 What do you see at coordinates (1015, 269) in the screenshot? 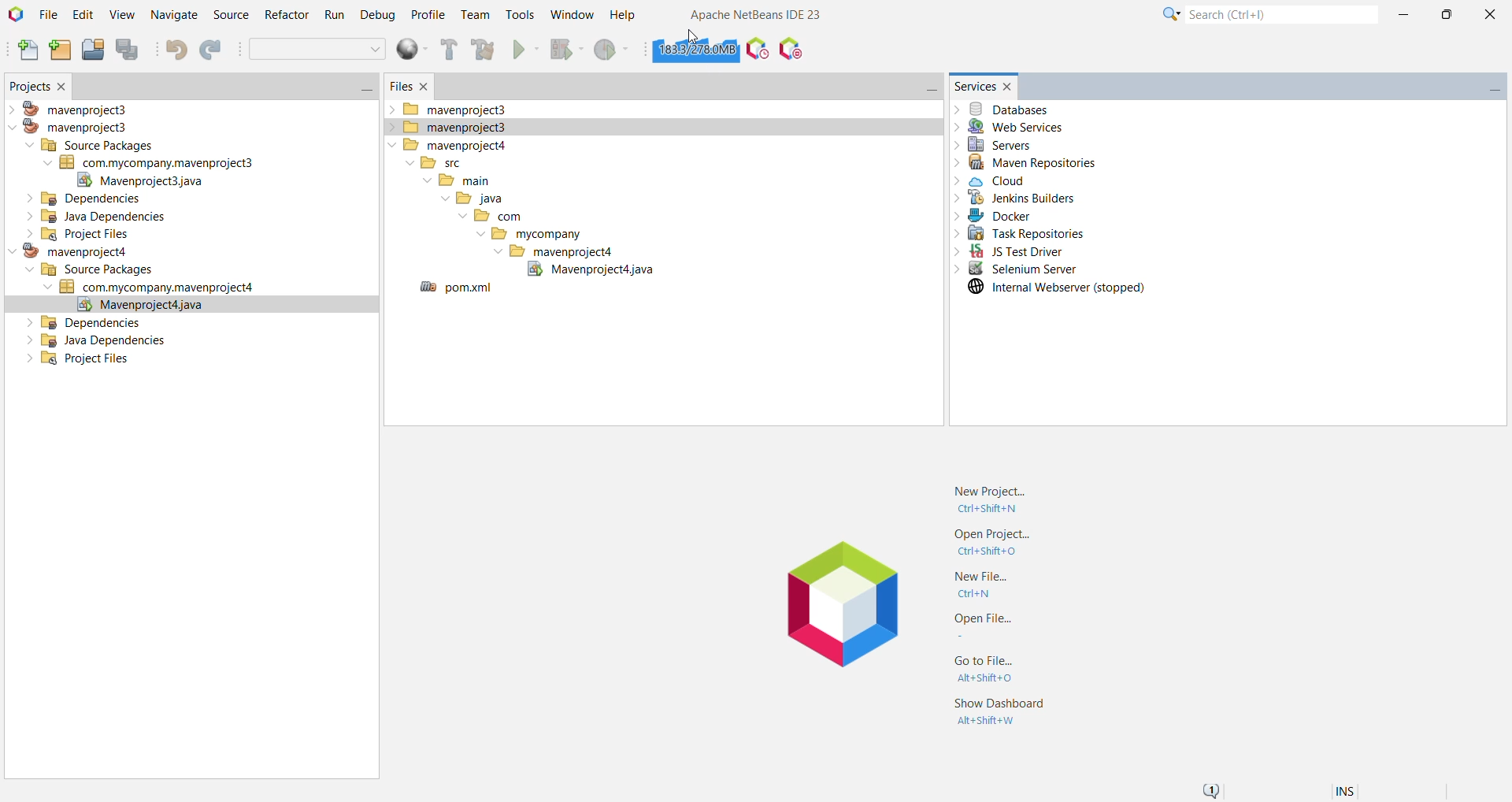
I see `Selenium Server` at bounding box center [1015, 269].